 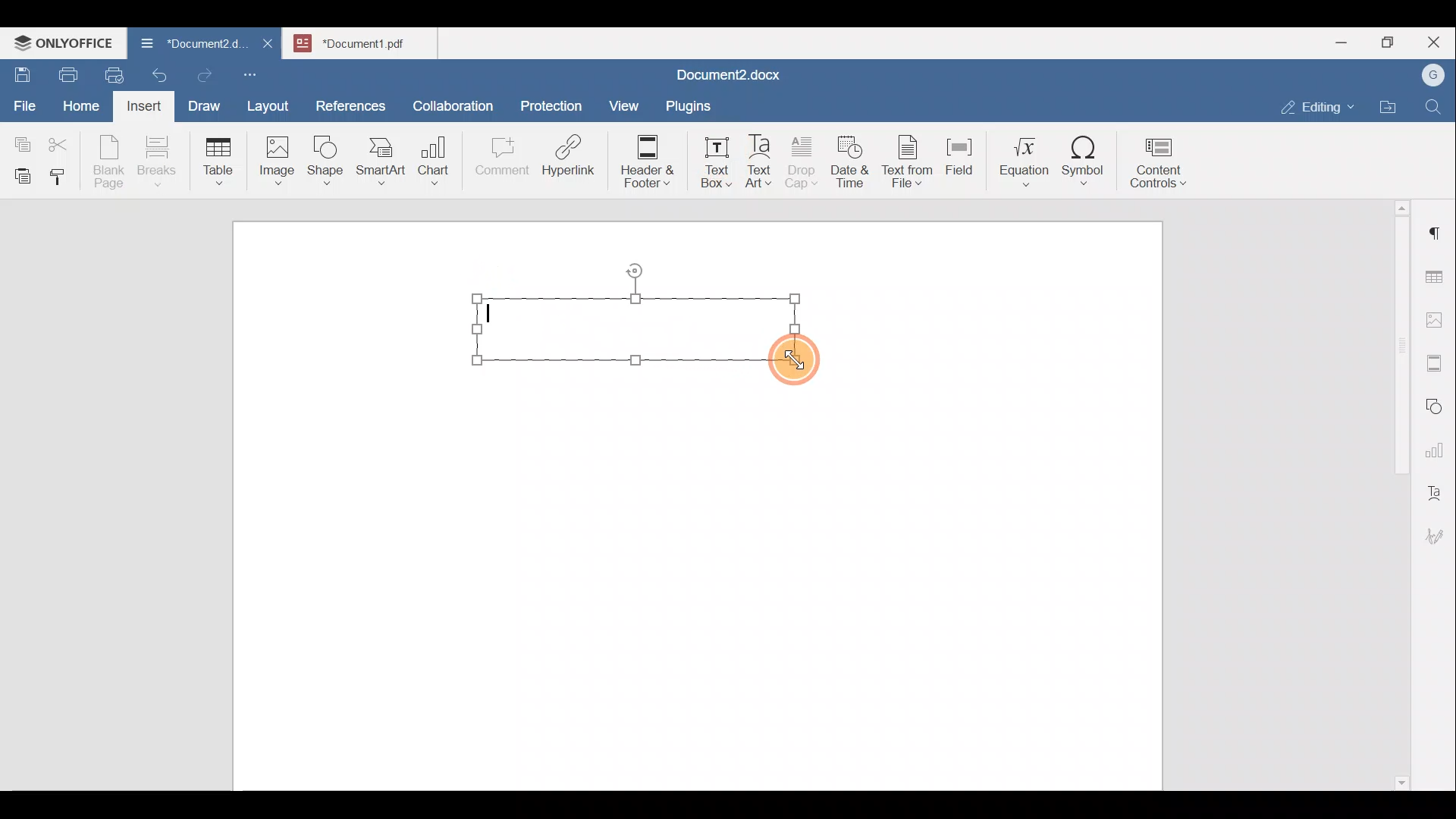 What do you see at coordinates (1392, 42) in the screenshot?
I see `Maximize` at bounding box center [1392, 42].